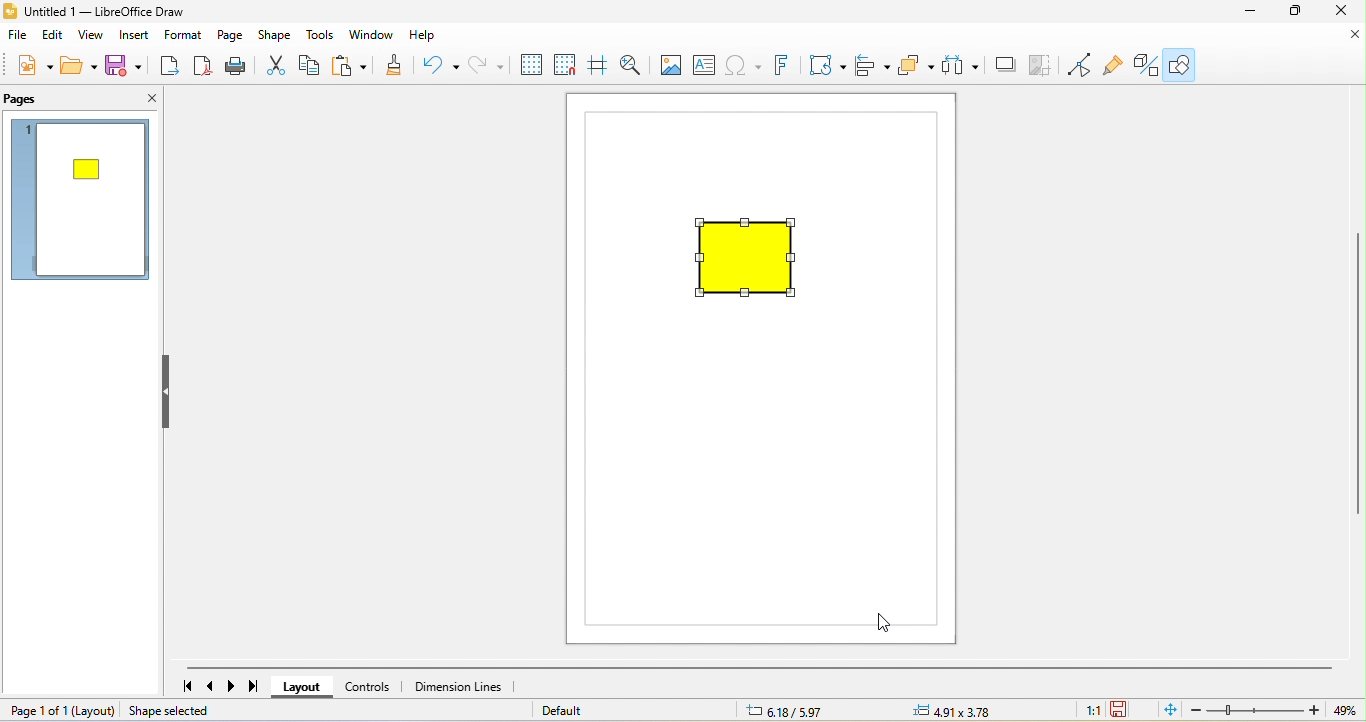 The height and width of the screenshot is (722, 1366). What do you see at coordinates (48, 100) in the screenshot?
I see `pages` at bounding box center [48, 100].